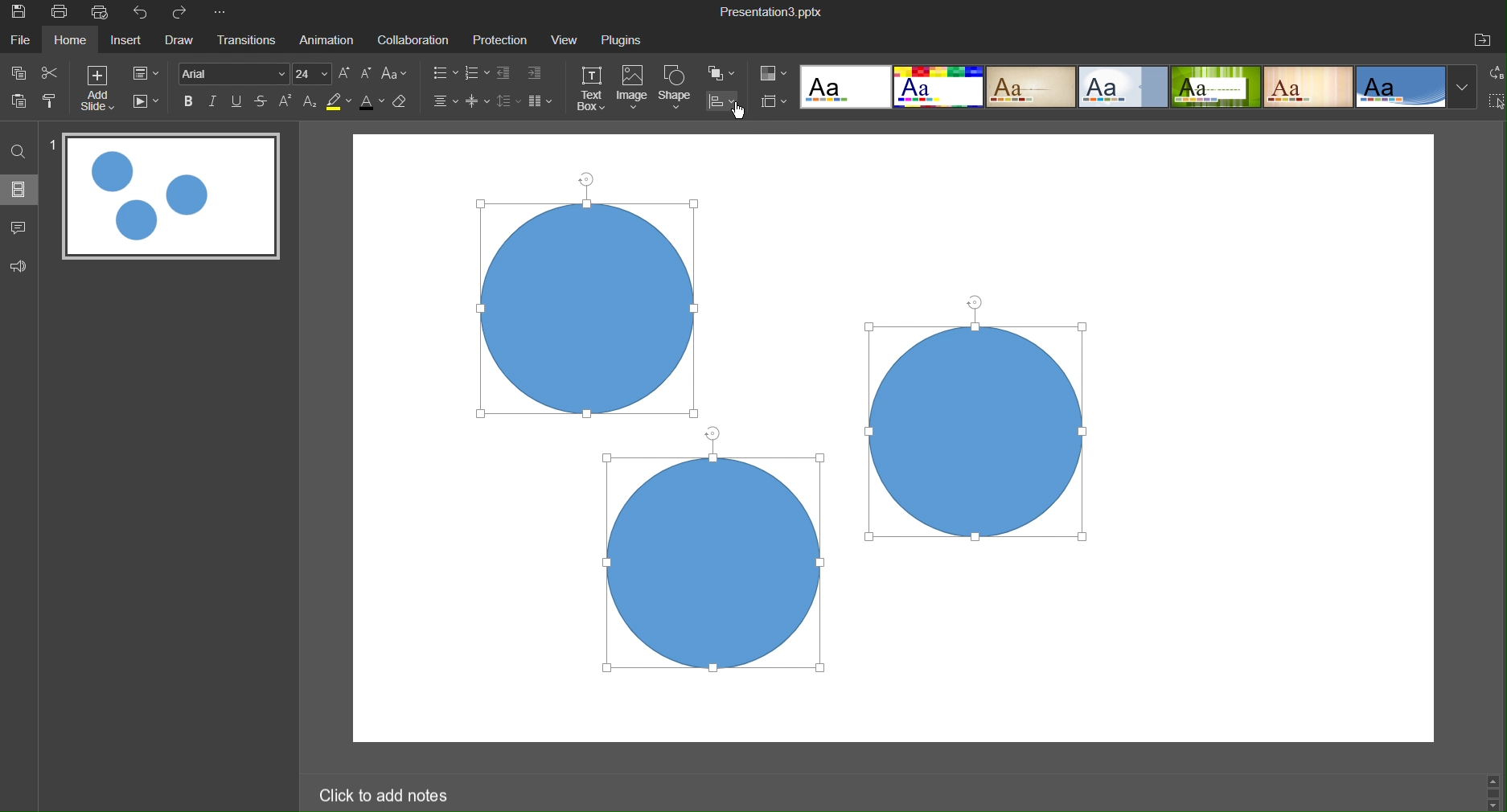 Image resolution: width=1507 pixels, height=812 pixels. Describe the element at coordinates (1493, 76) in the screenshot. I see `Replace` at that location.